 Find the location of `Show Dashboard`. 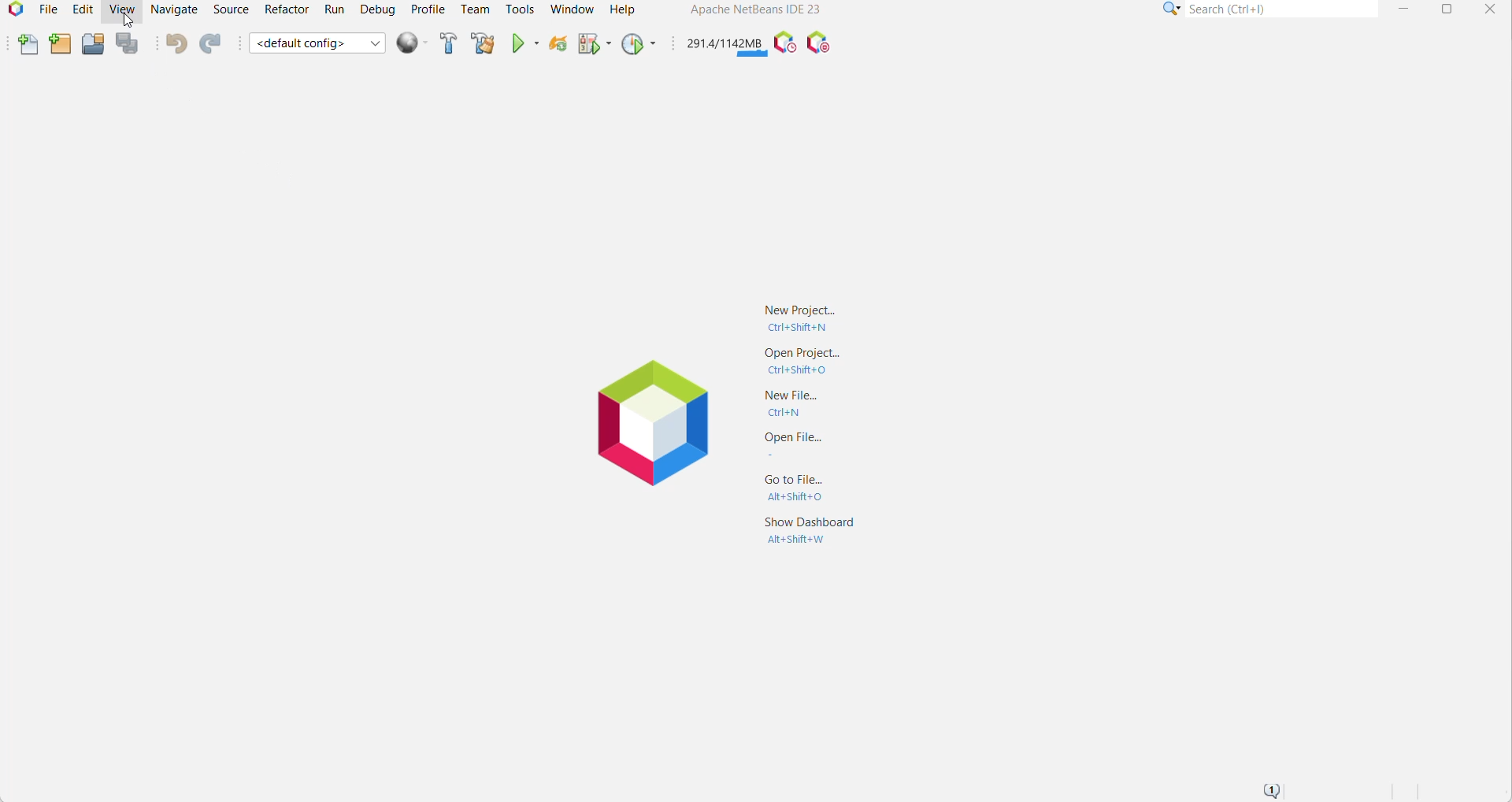

Show Dashboard is located at coordinates (810, 537).